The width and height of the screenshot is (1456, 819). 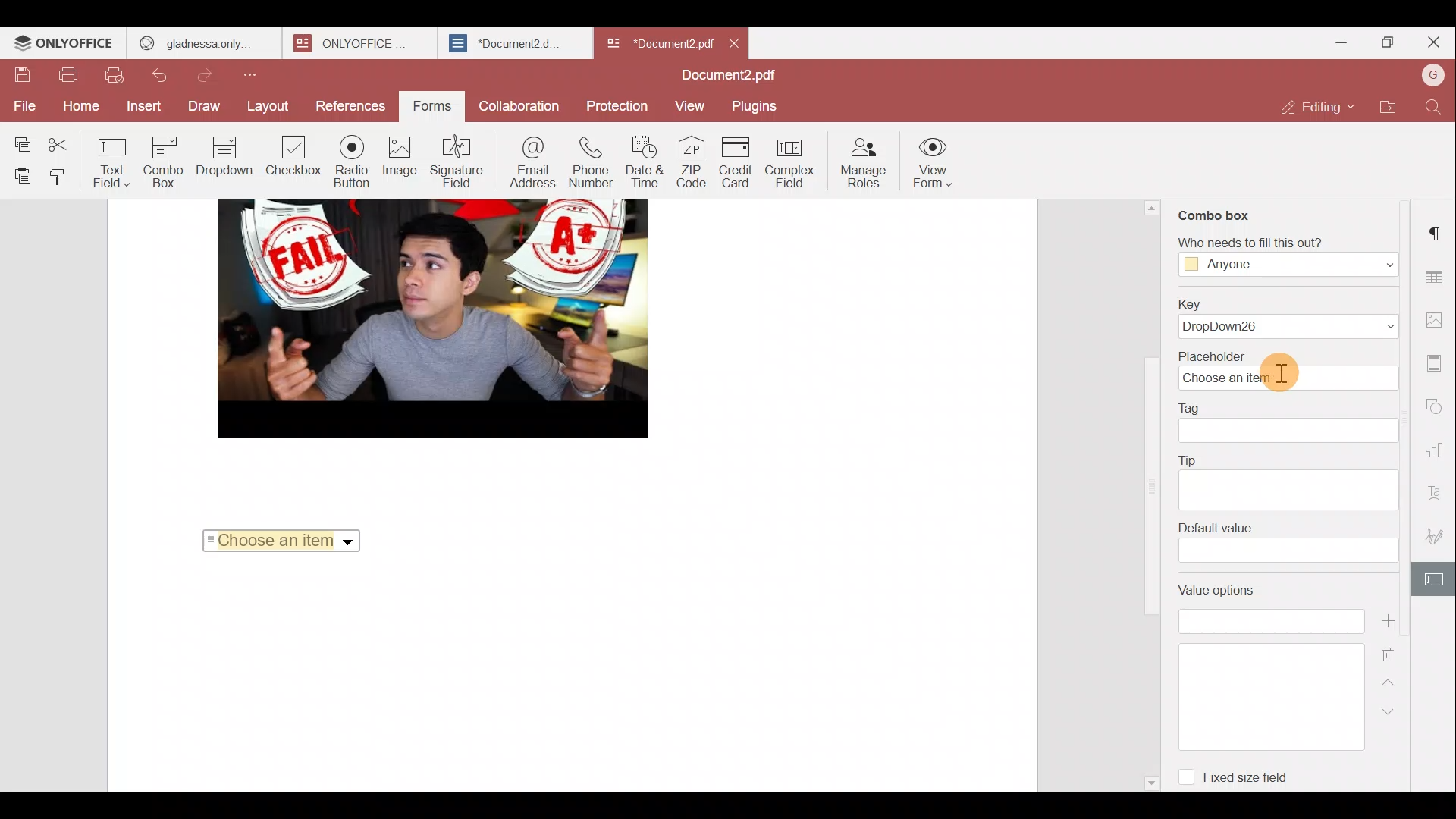 What do you see at coordinates (1289, 479) in the screenshot?
I see `Tip` at bounding box center [1289, 479].